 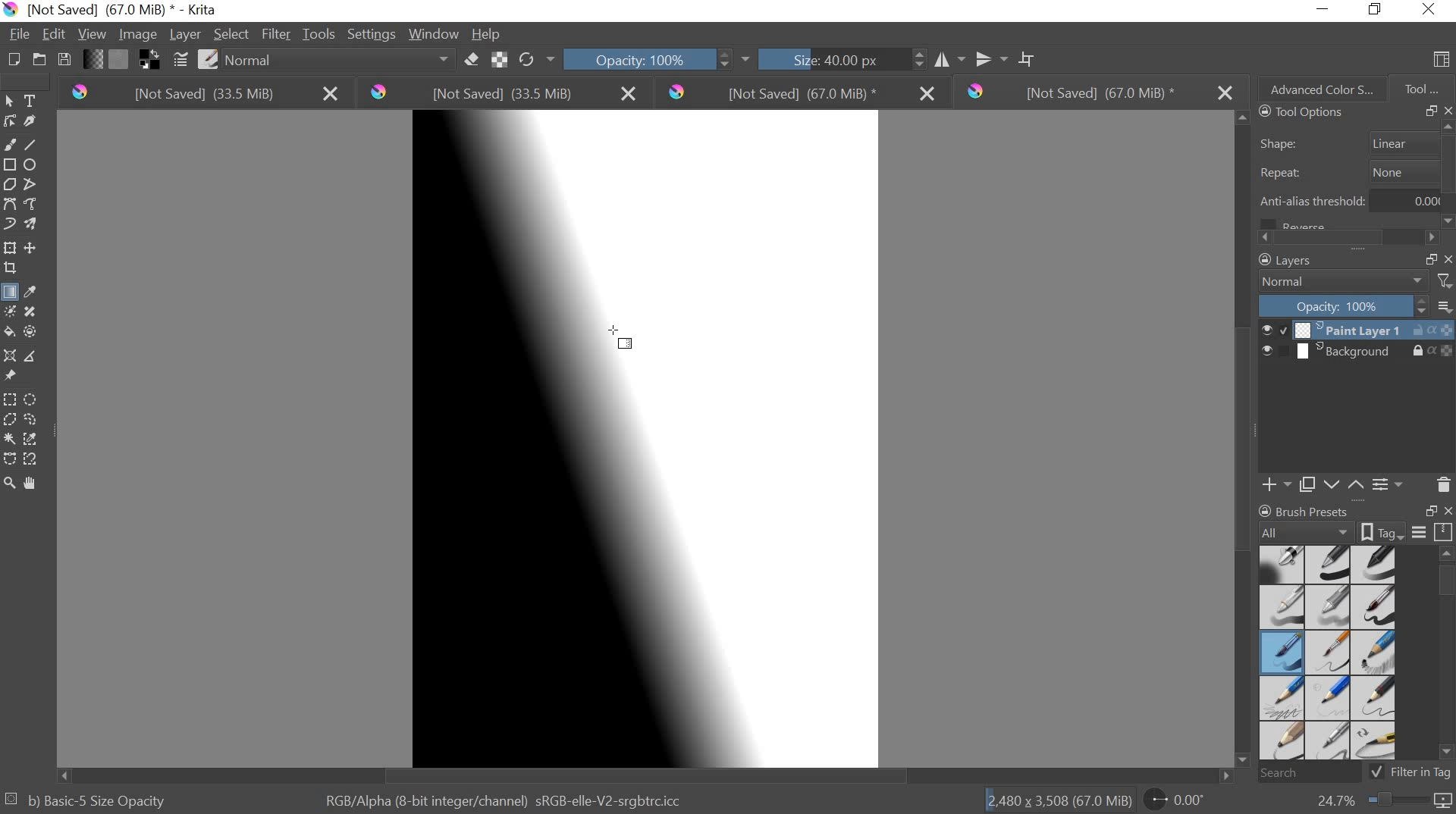 What do you see at coordinates (13, 311) in the screenshot?
I see `colorize mask tool` at bounding box center [13, 311].